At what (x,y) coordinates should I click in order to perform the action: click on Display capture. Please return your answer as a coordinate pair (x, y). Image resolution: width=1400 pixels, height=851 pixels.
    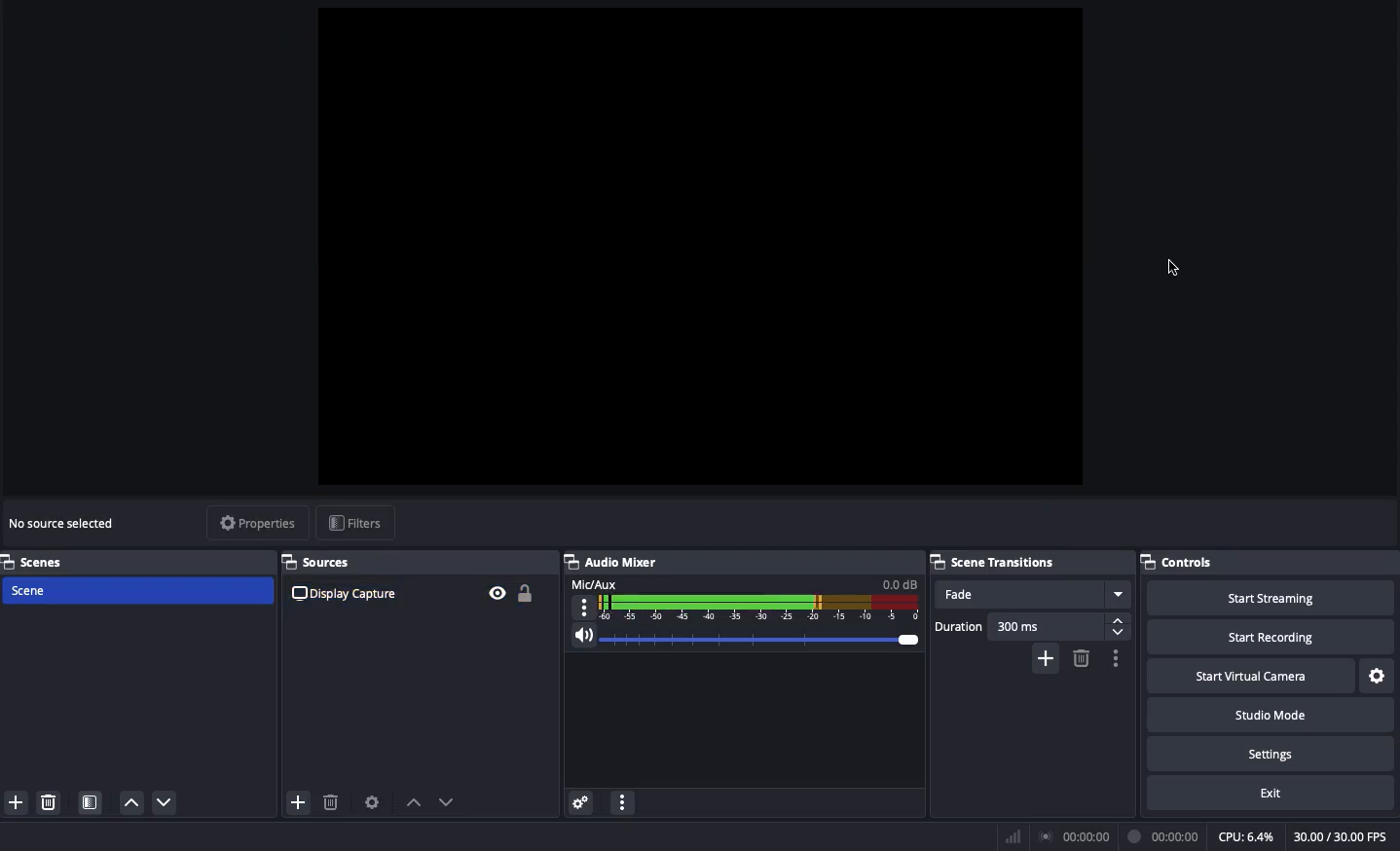
    Looking at the image, I should click on (348, 593).